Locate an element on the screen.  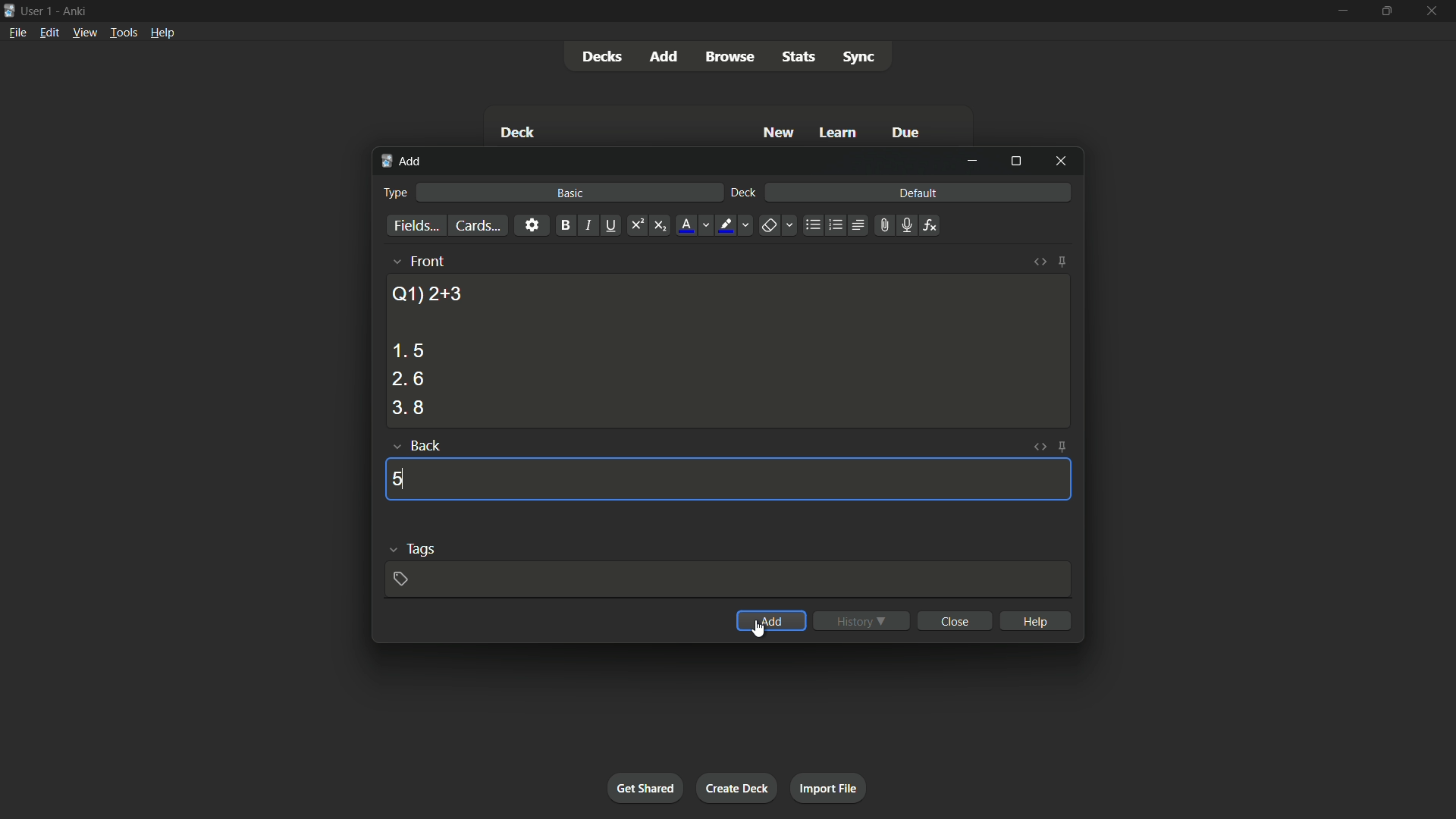
add is located at coordinates (403, 162).